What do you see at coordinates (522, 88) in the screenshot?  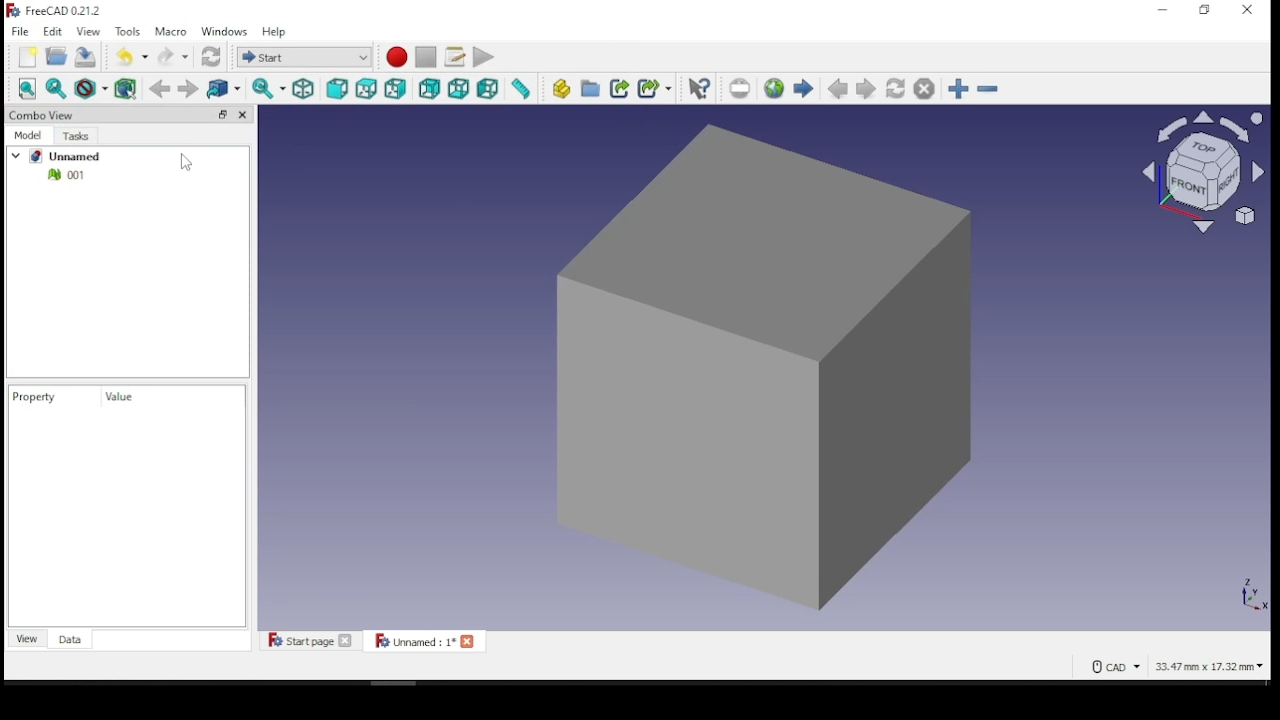 I see `measure distance` at bounding box center [522, 88].